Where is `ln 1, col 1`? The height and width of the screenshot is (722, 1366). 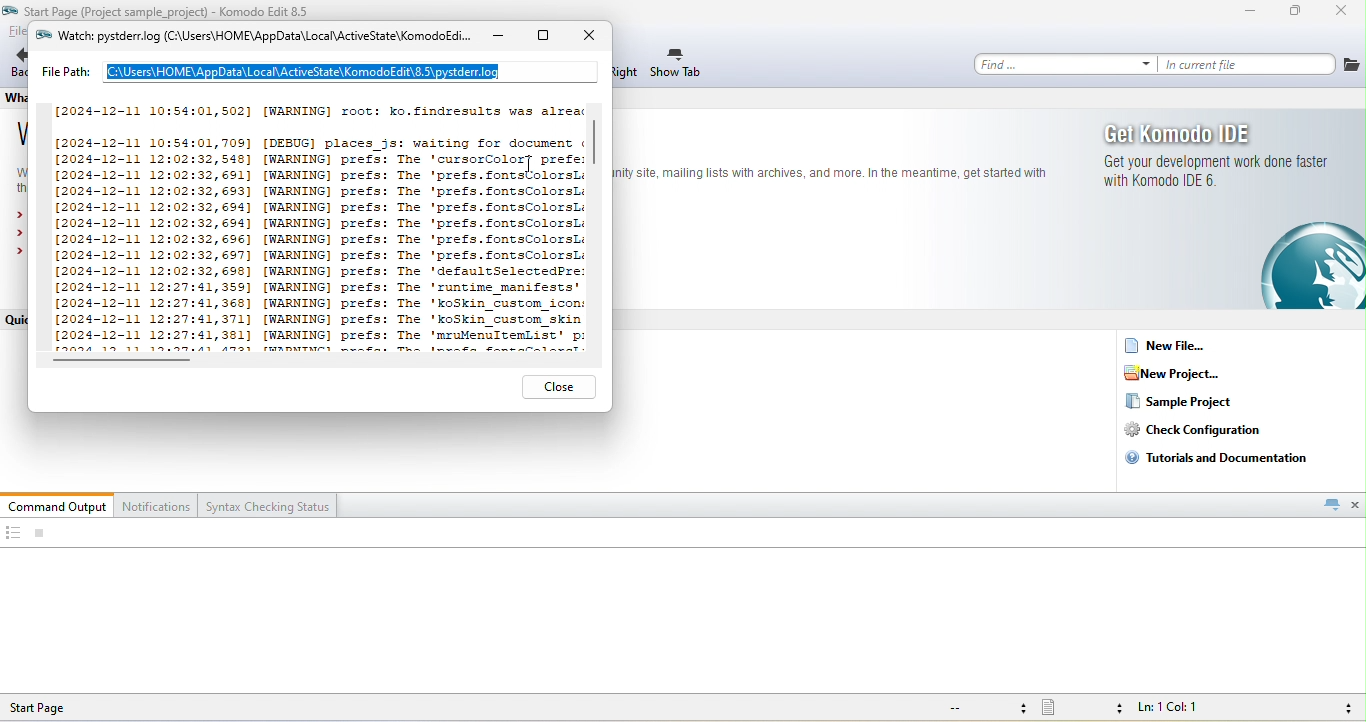 ln 1, col 1 is located at coordinates (1173, 709).